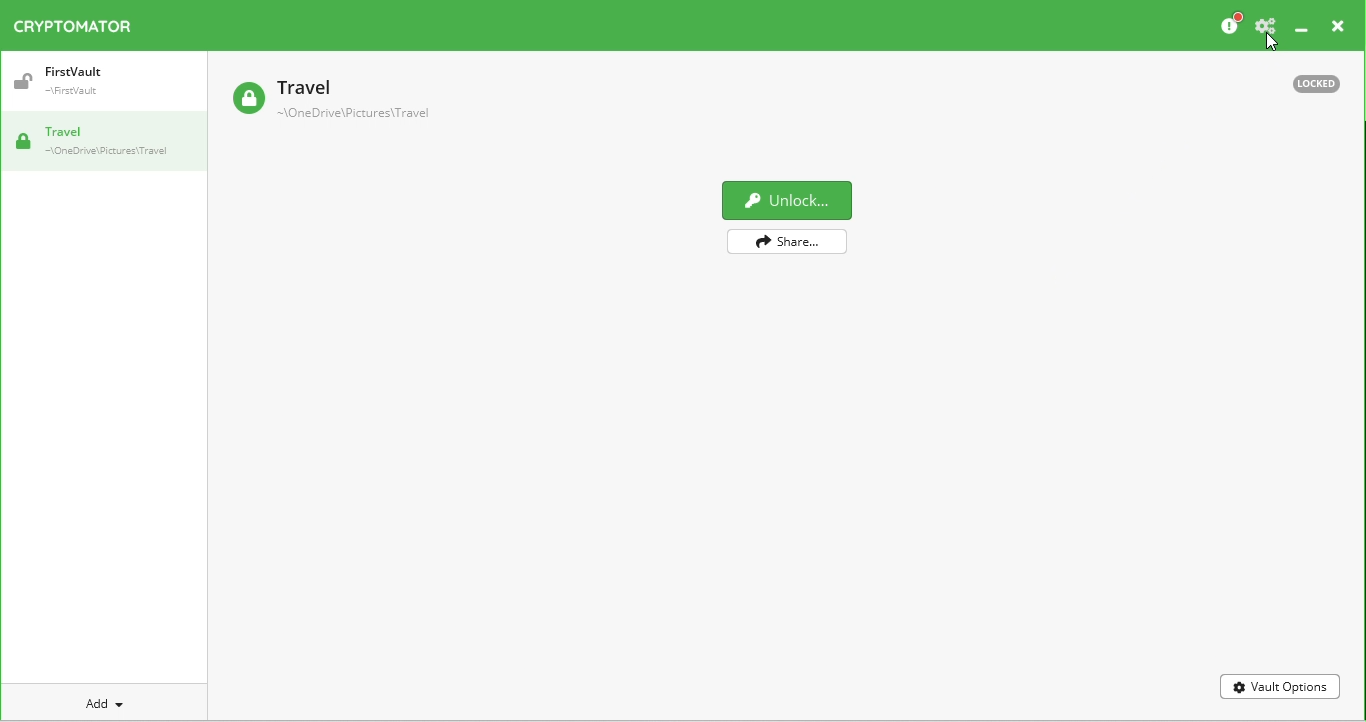  I want to click on Vault options, so click(1279, 691).